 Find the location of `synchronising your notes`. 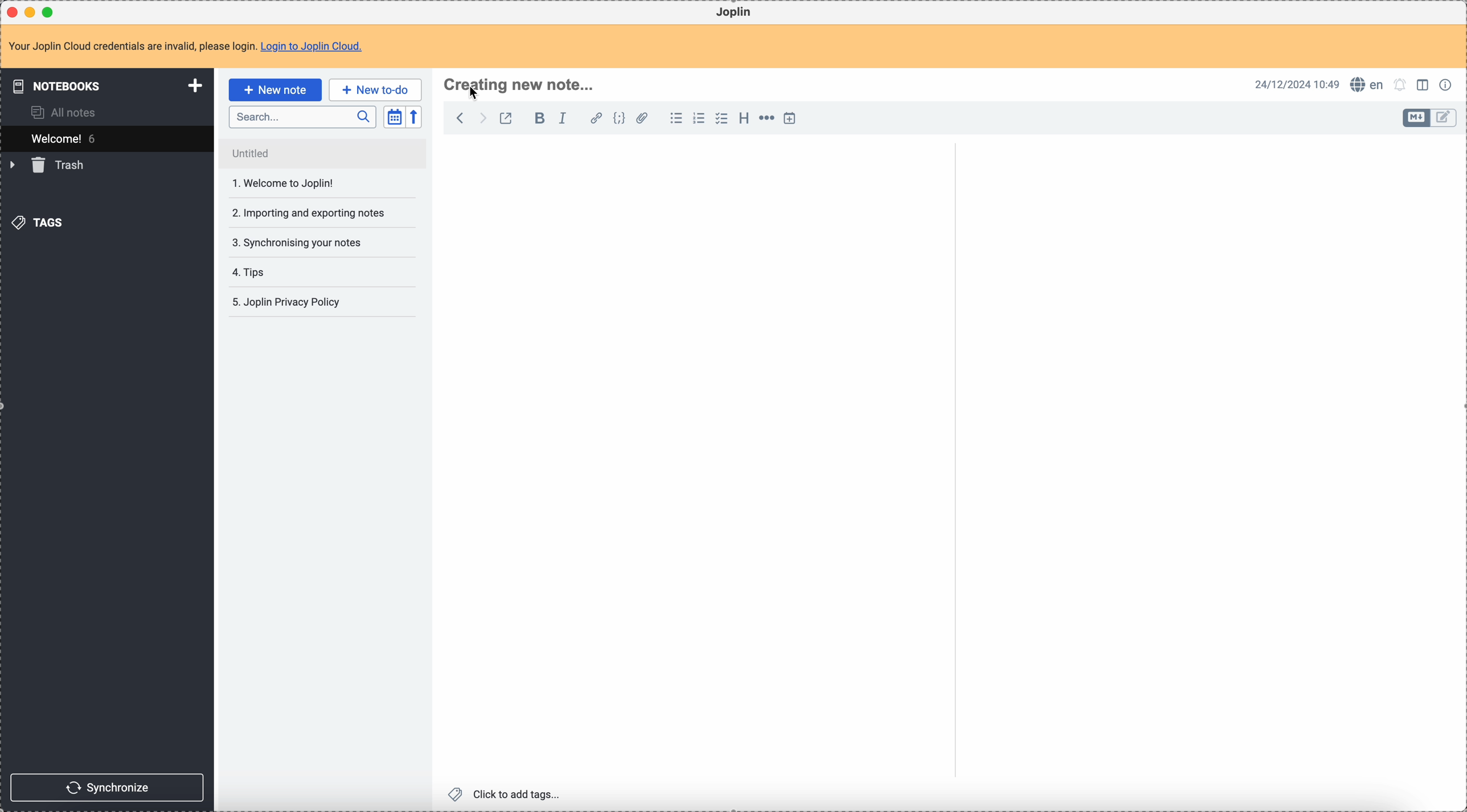

synchronising your notes is located at coordinates (306, 243).